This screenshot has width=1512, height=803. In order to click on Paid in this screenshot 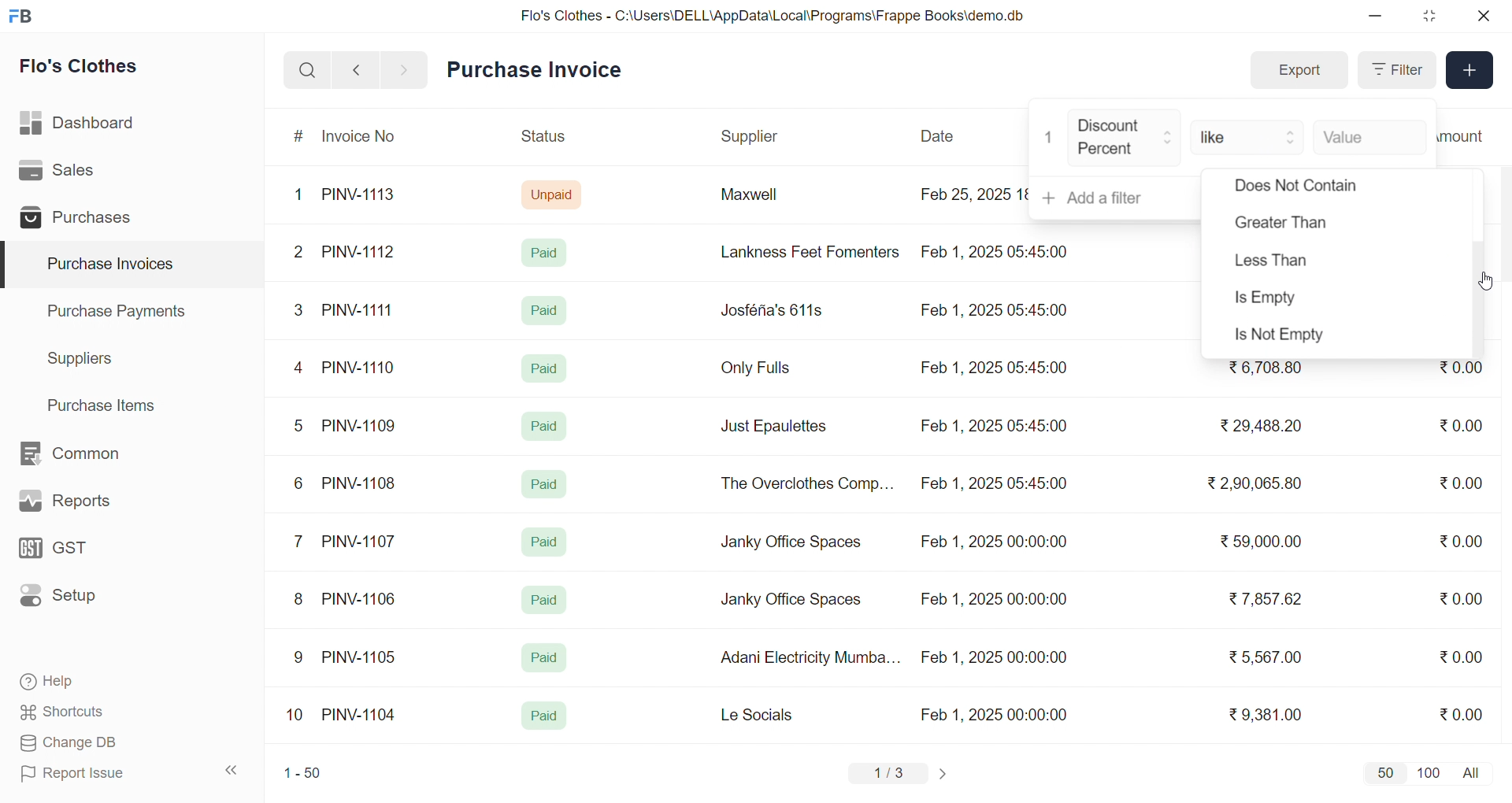, I will do `click(544, 716)`.